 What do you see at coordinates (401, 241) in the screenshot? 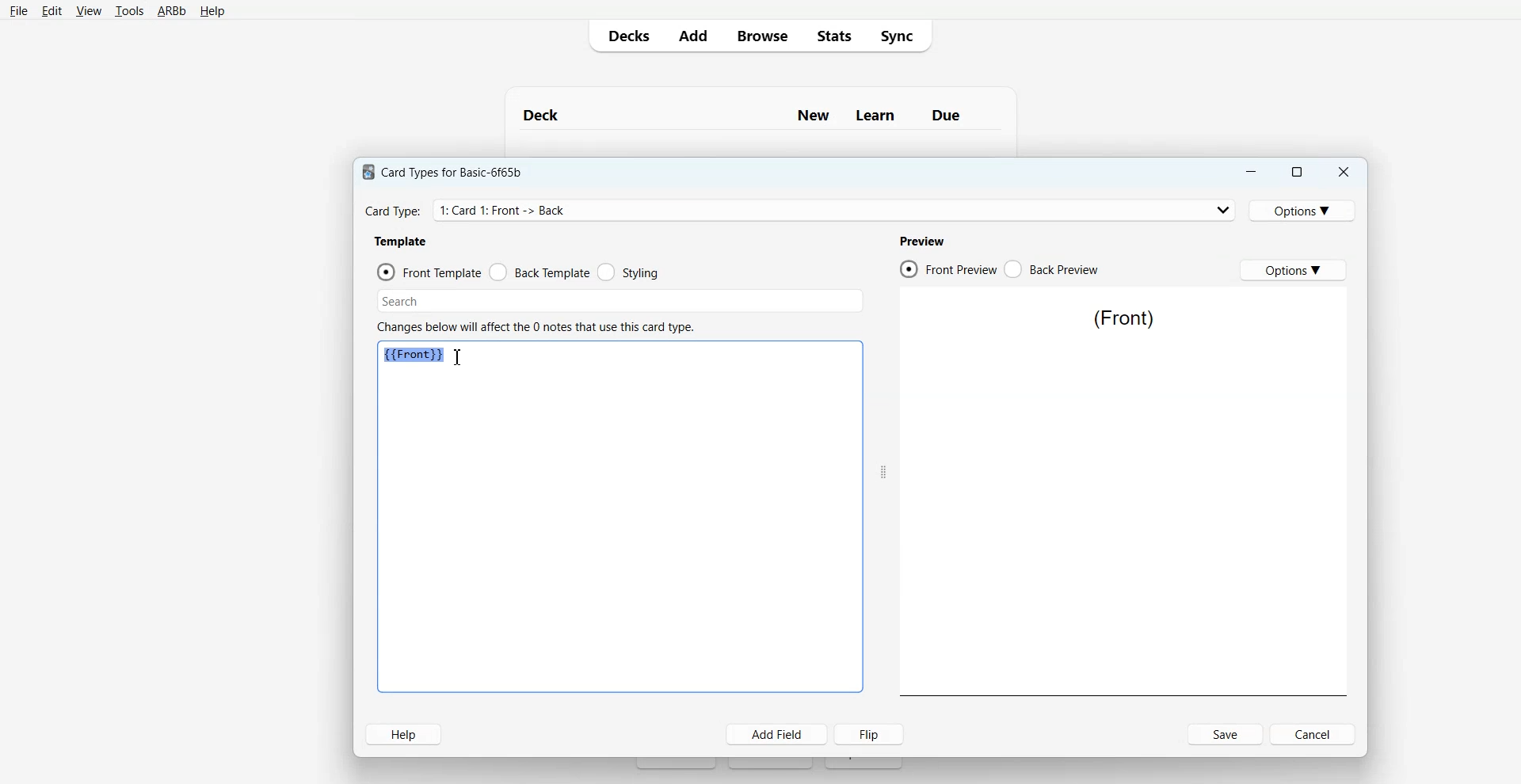
I see `Text 2` at bounding box center [401, 241].